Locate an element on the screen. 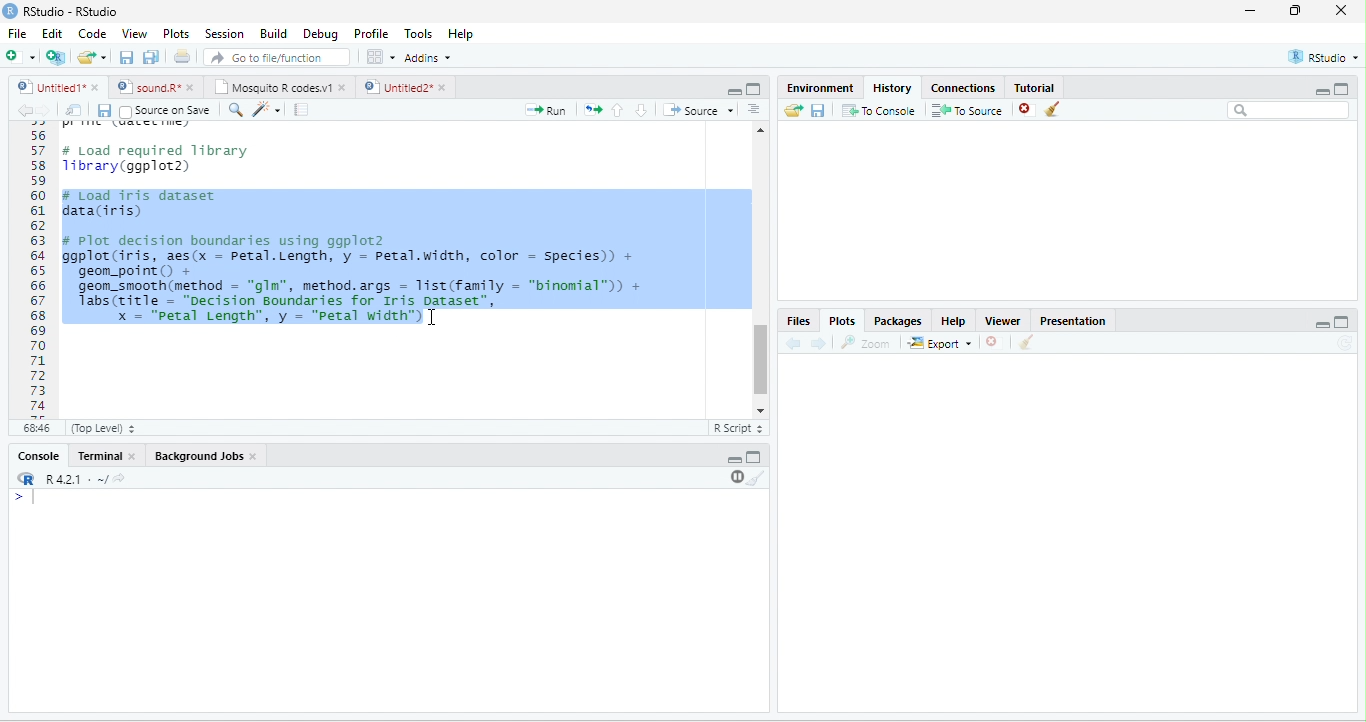 This screenshot has height=722, width=1366. Console is located at coordinates (38, 455).